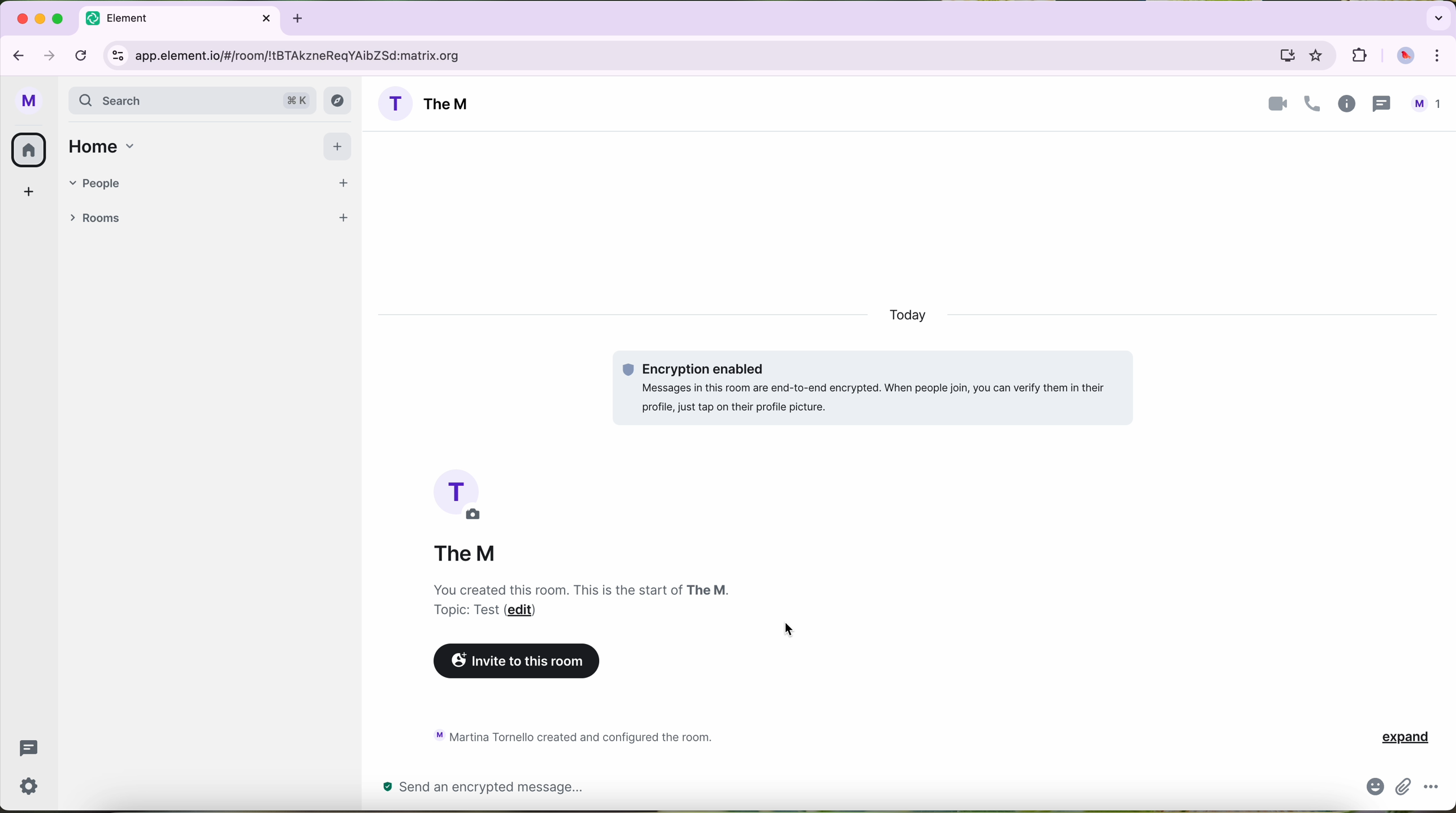 The image size is (1456, 813). Describe the element at coordinates (1443, 56) in the screenshot. I see `control and customize Google Chrome` at that location.